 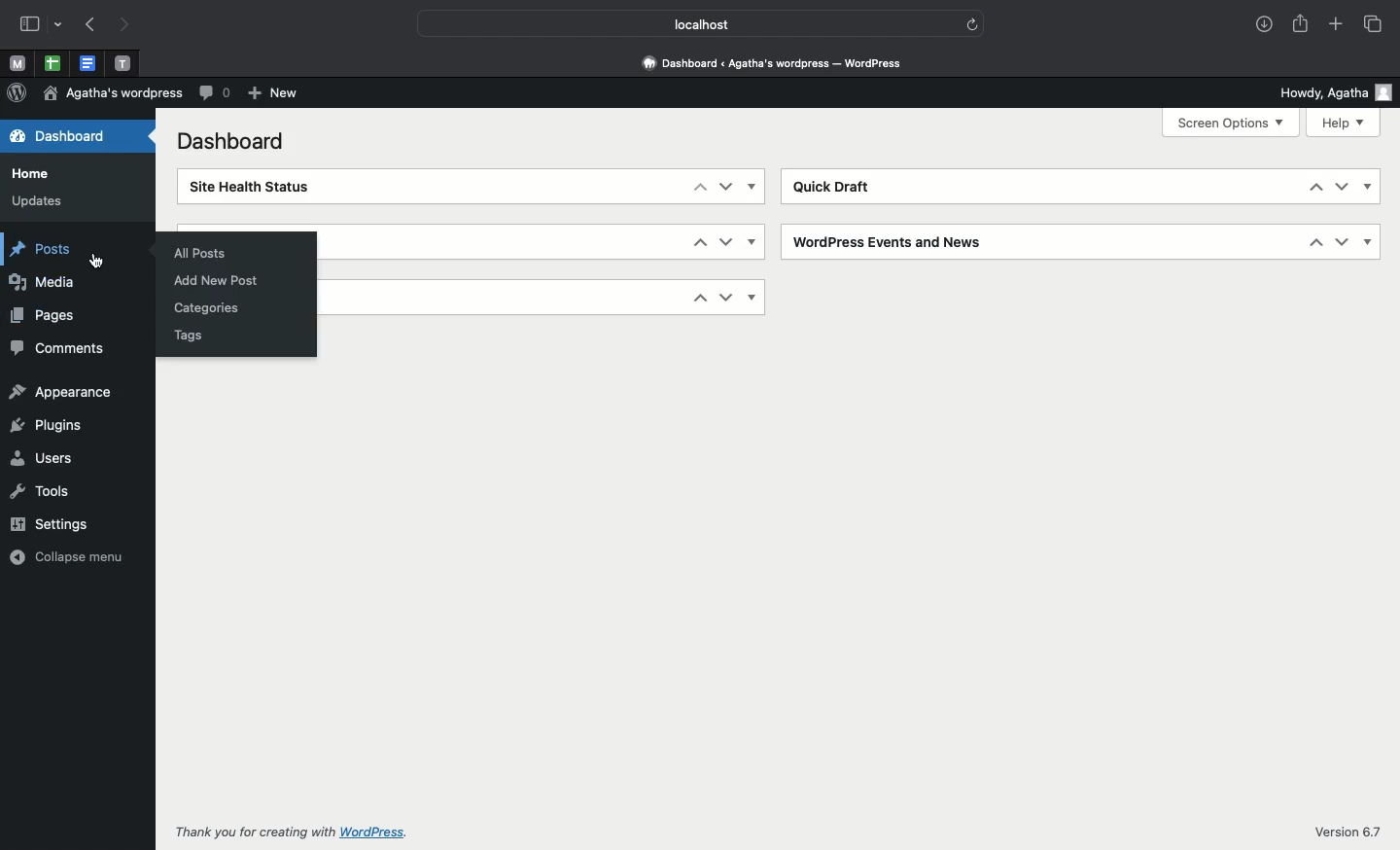 What do you see at coordinates (118, 93) in the screenshot?
I see `Name of Wordpress` at bounding box center [118, 93].